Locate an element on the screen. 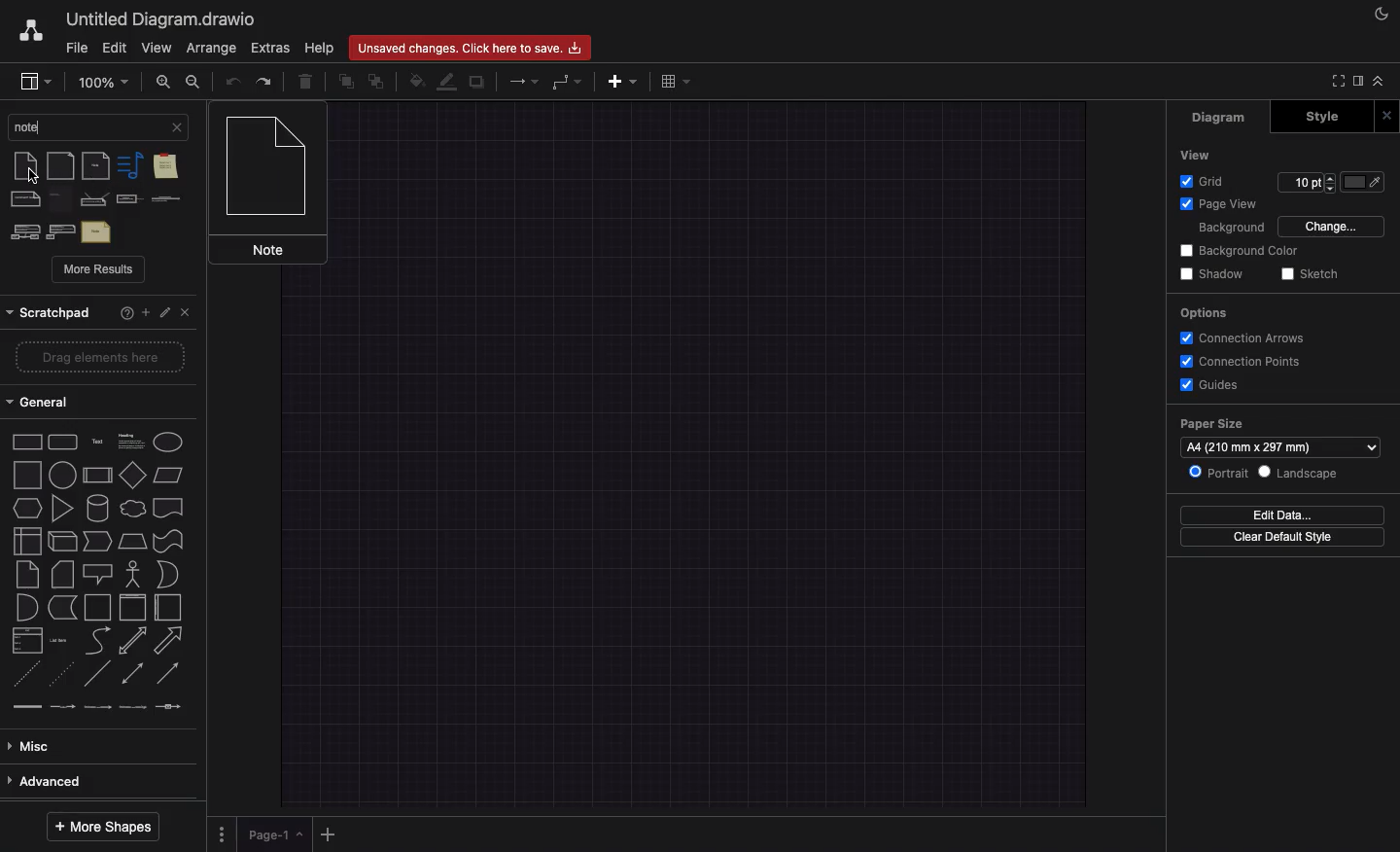  square is located at coordinates (26, 476).